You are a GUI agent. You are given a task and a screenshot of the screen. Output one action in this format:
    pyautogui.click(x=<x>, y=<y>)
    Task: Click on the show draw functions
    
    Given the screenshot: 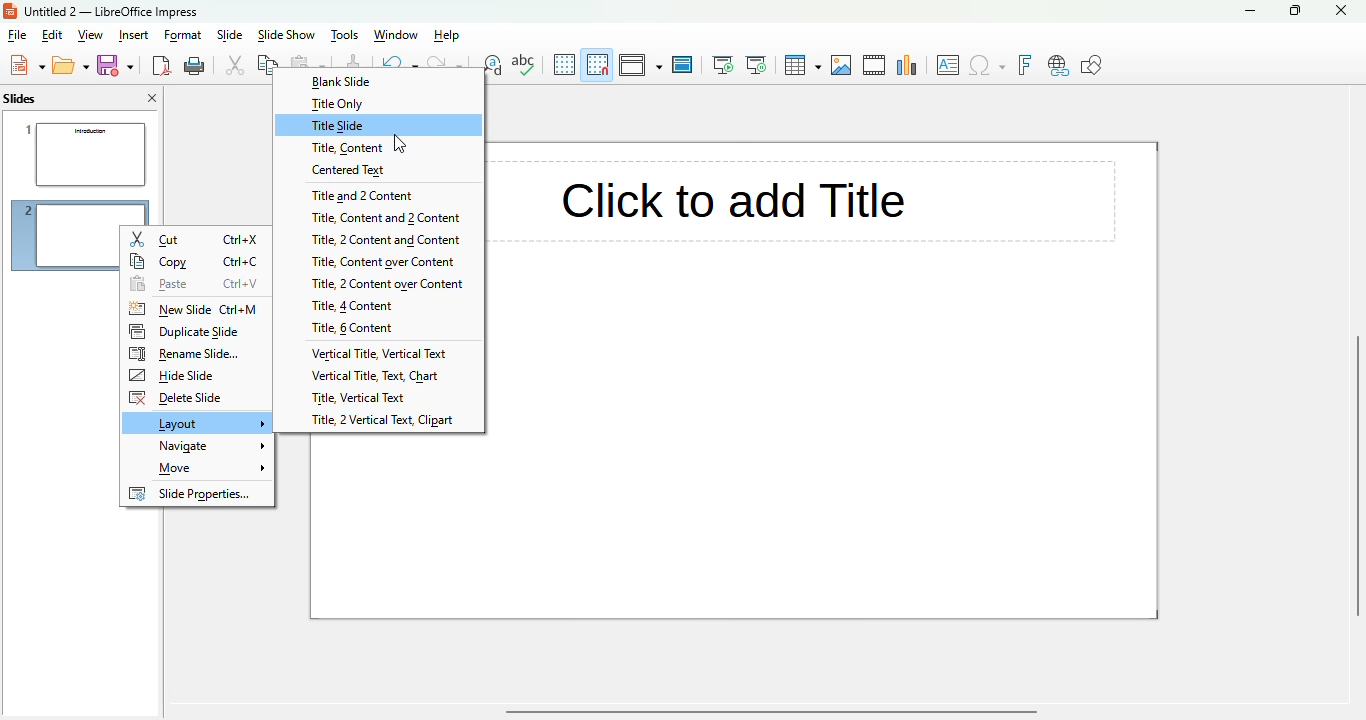 What is the action you would take?
    pyautogui.click(x=1091, y=64)
    